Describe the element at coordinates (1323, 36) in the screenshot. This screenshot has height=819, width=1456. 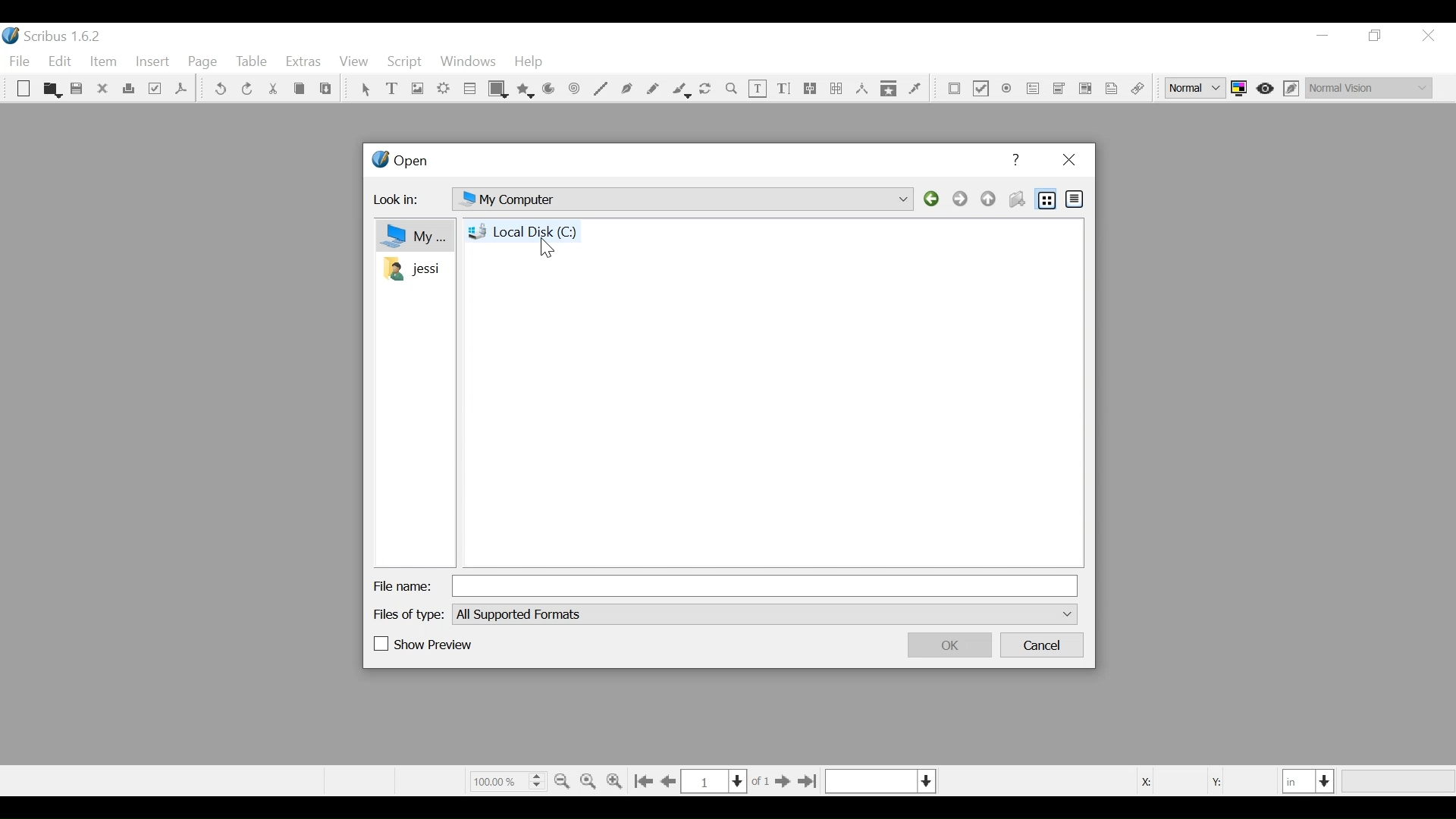
I see `minimize` at that location.